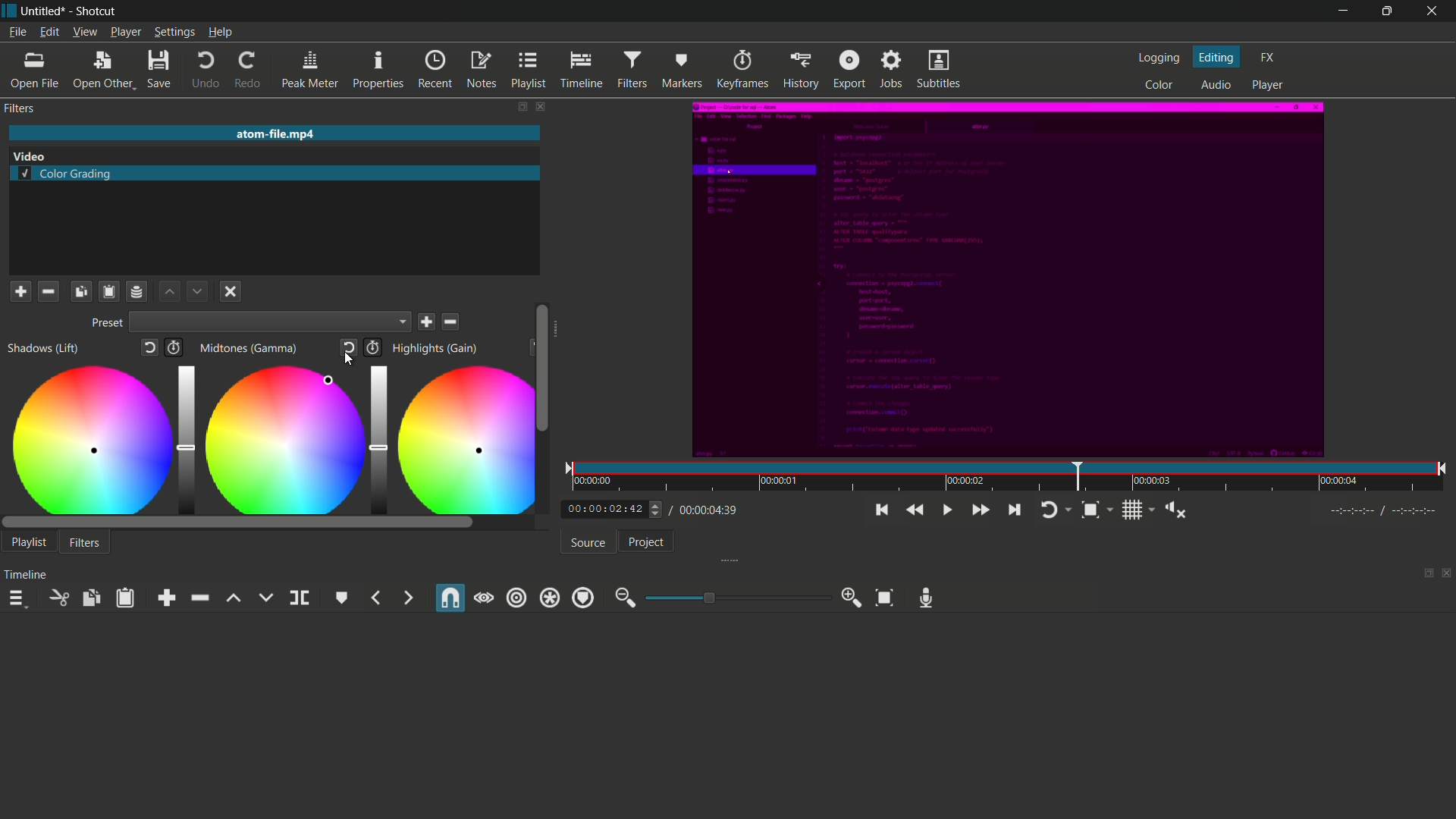 The image size is (1456, 819). I want to click on project name, so click(44, 11).